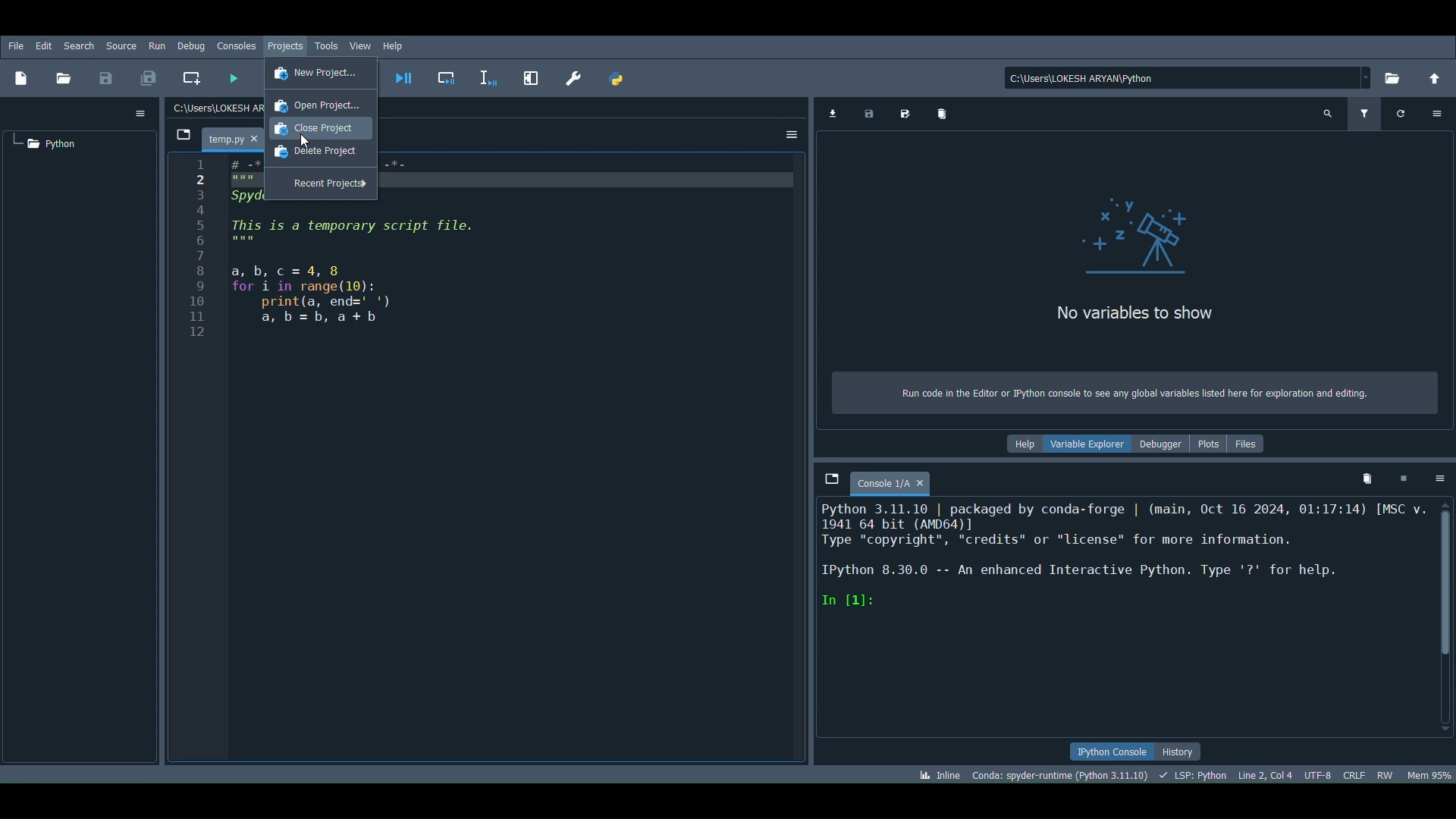 The height and width of the screenshot is (819, 1456). What do you see at coordinates (404, 76) in the screenshot?
I see `Debug file (Ctrl + F5)` at bounding box center [404, 76].